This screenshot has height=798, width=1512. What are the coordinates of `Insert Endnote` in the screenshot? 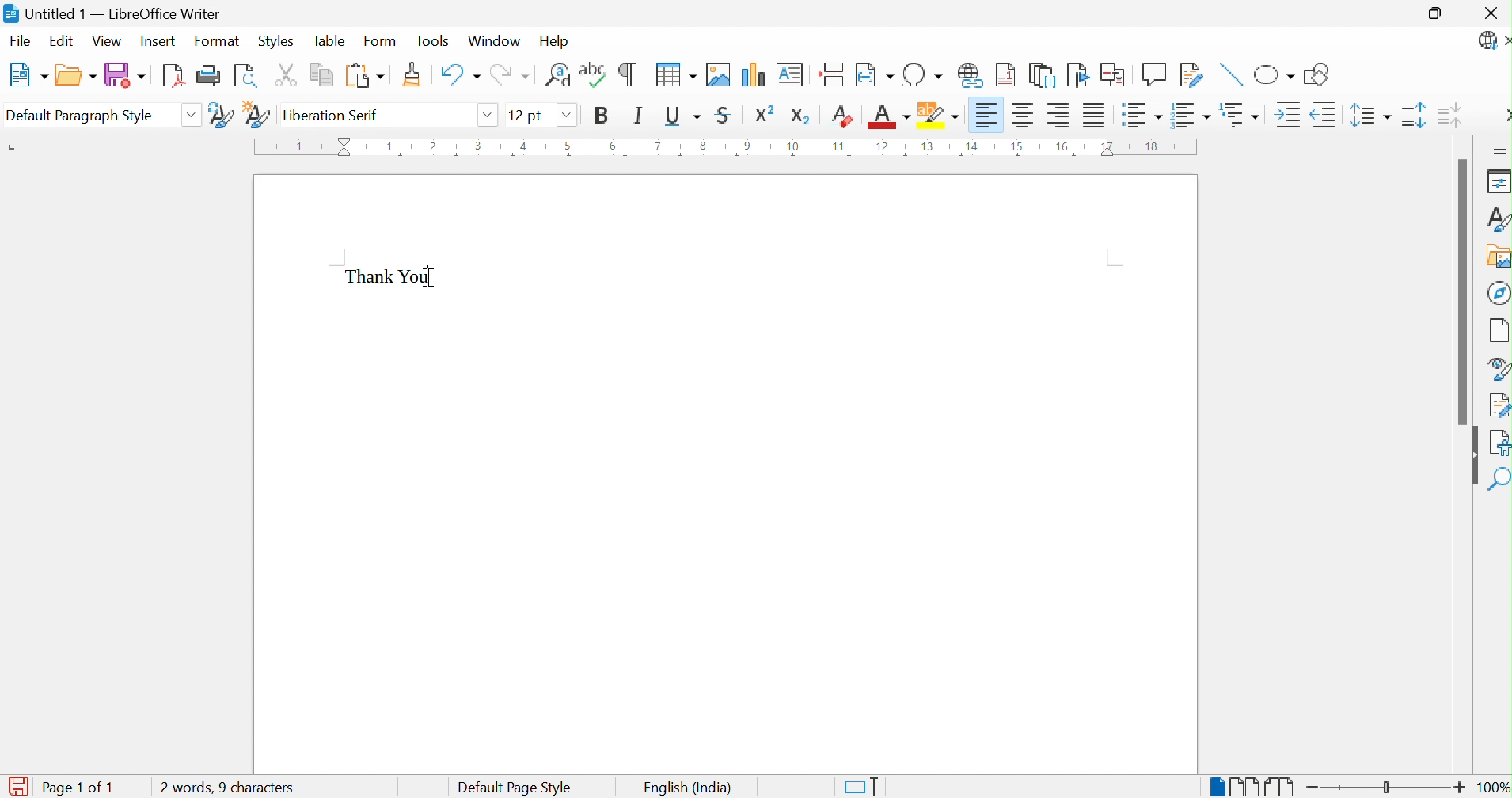 It's located at (1042, 77).